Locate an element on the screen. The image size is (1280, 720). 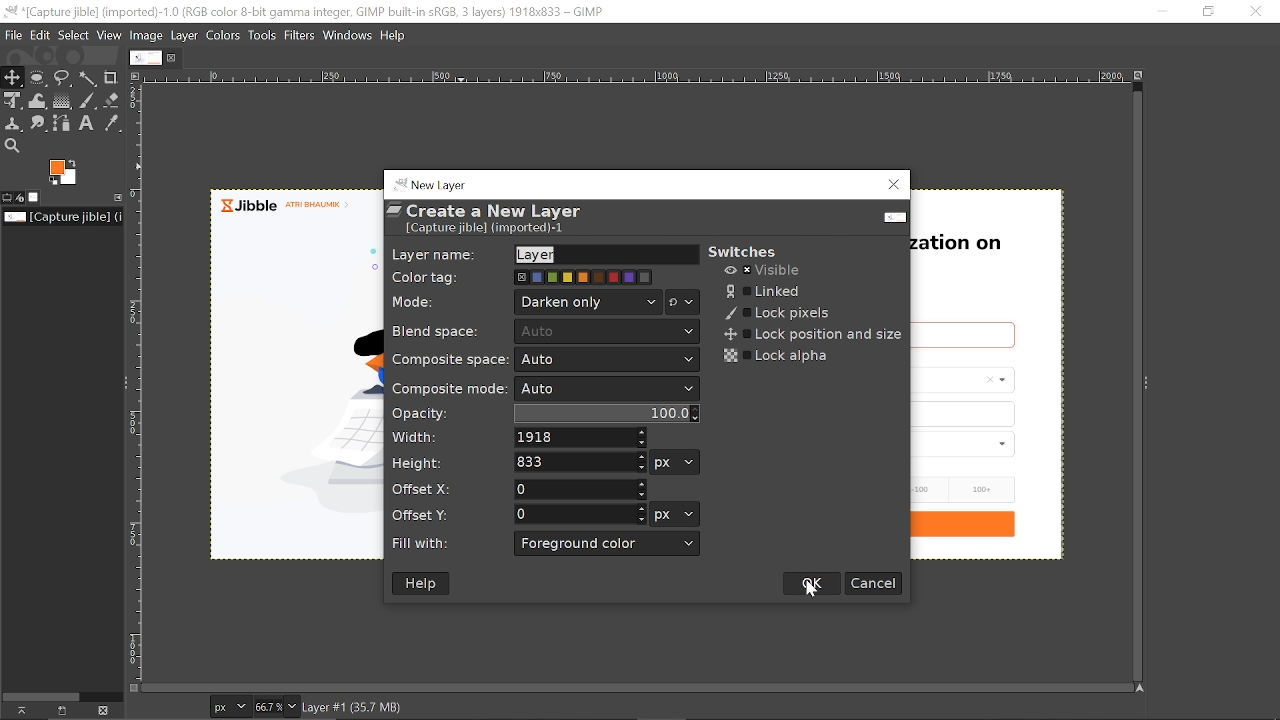
Device status is located at coordinates (20, 198).